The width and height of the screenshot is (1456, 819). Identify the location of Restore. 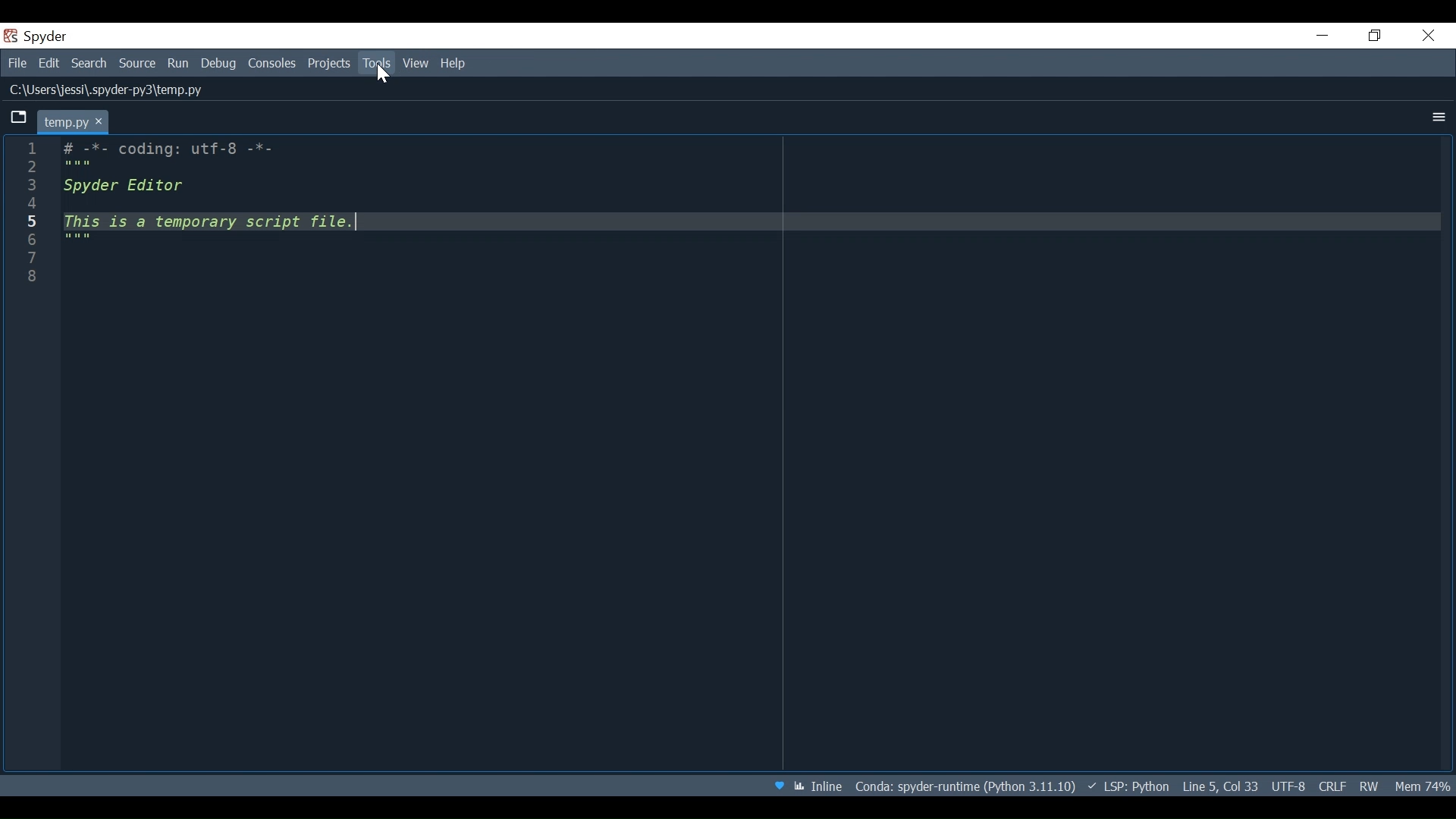
(1376, 36).